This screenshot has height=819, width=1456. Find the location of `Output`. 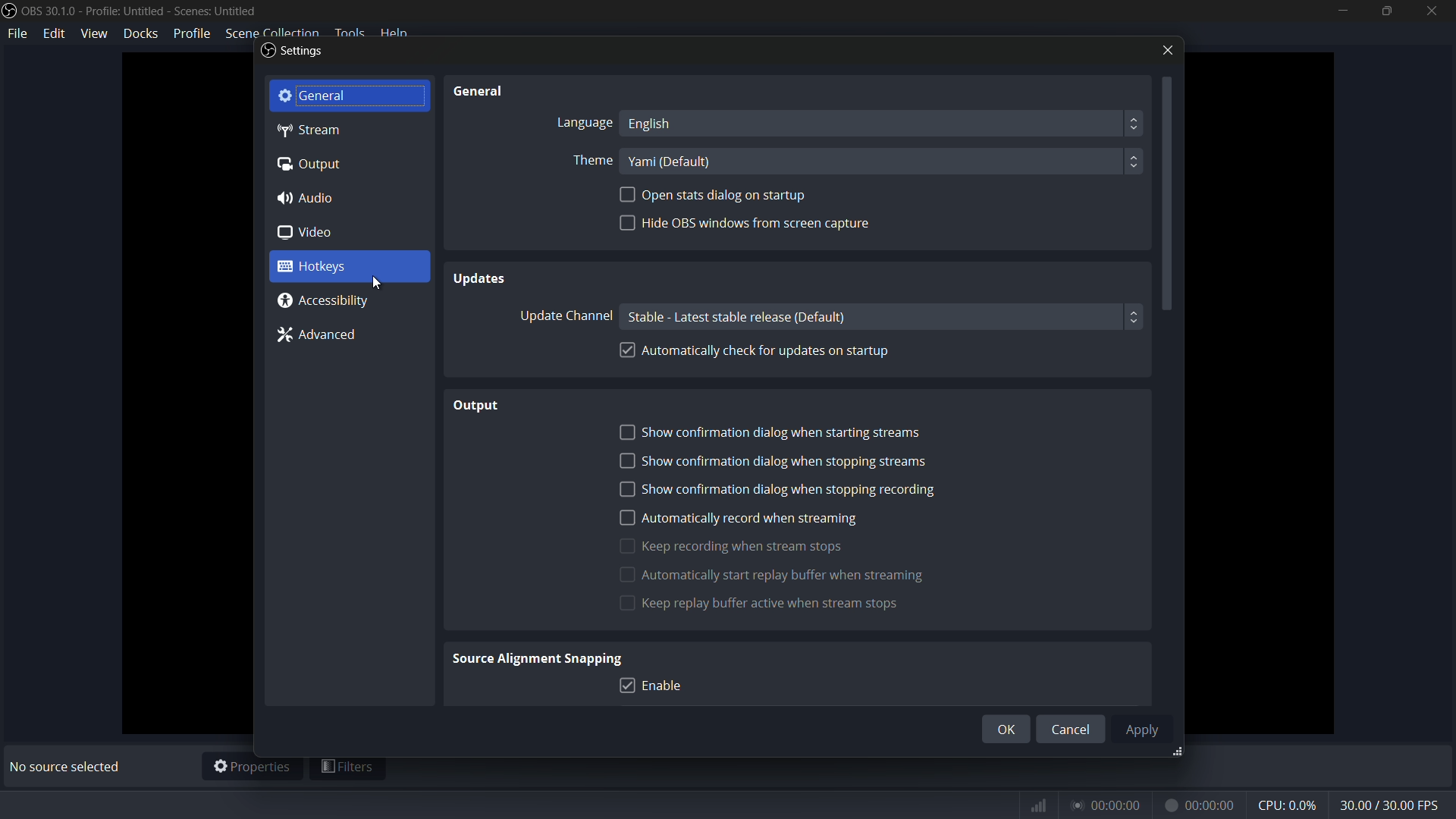

Output is located at coordinates (480, 404).